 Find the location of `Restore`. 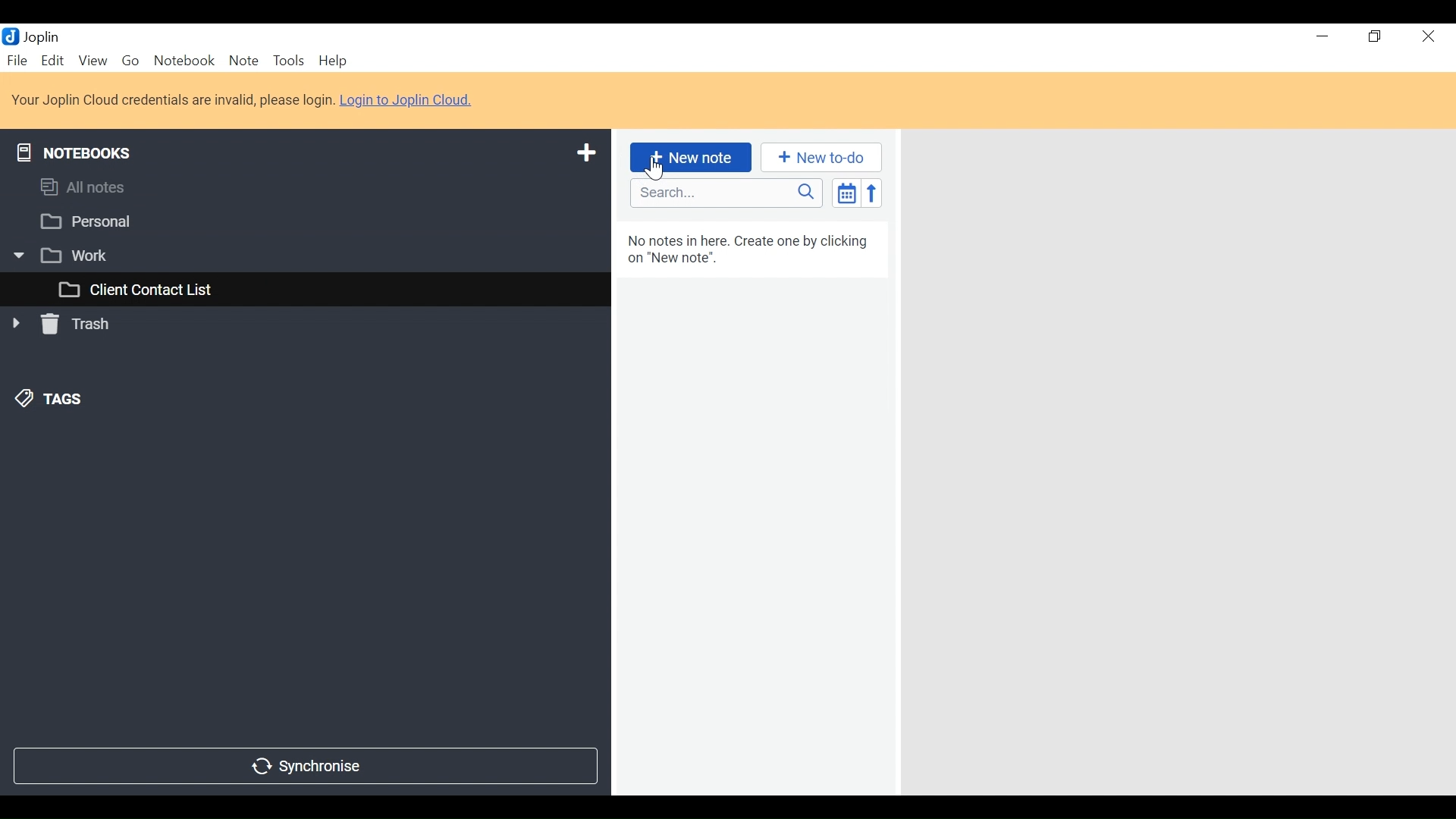

Restore is located at coordinates (1375, 36).